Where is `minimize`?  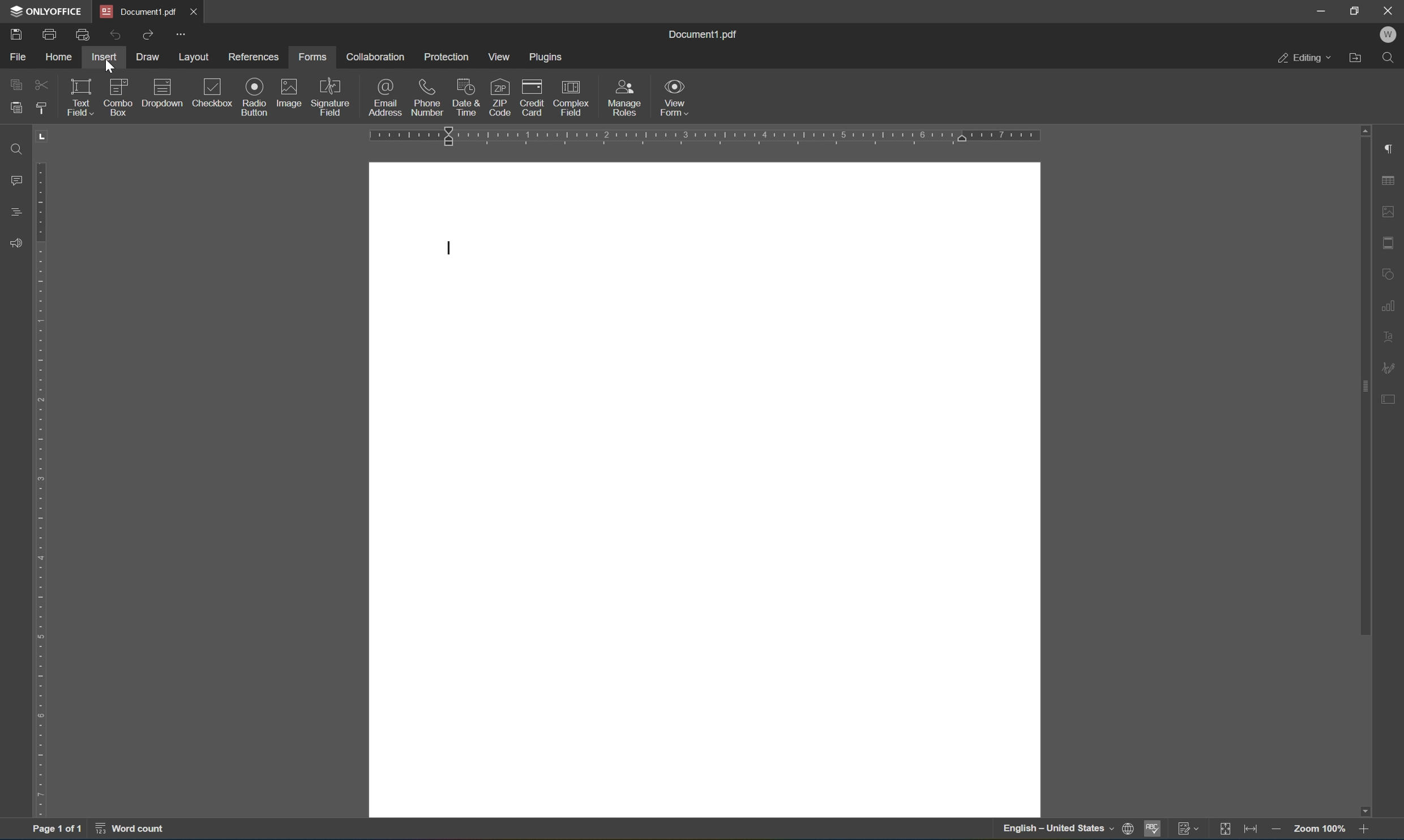 minimize is located at coordinates (1321, 10).